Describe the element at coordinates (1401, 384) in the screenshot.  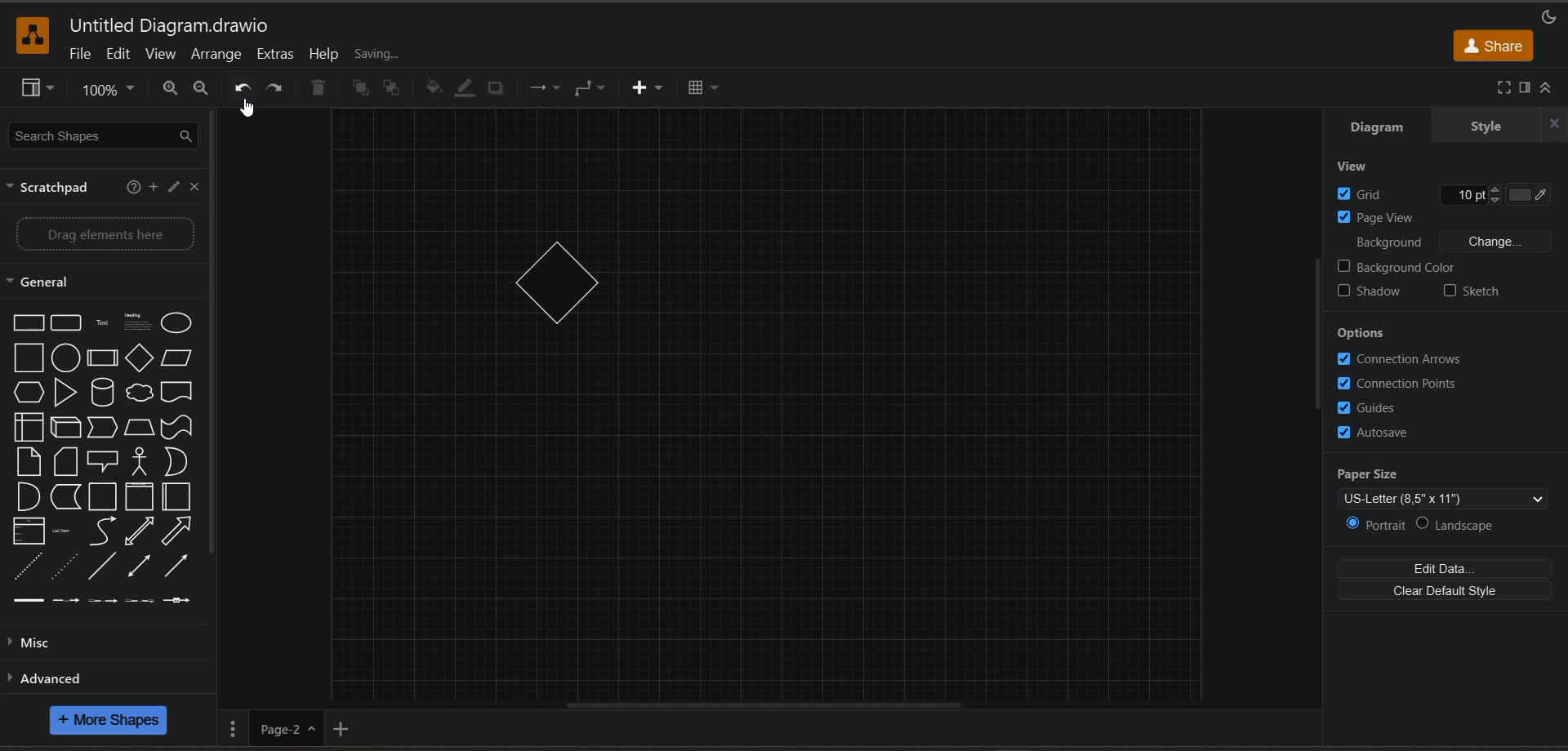
I see `connection points` at that location.